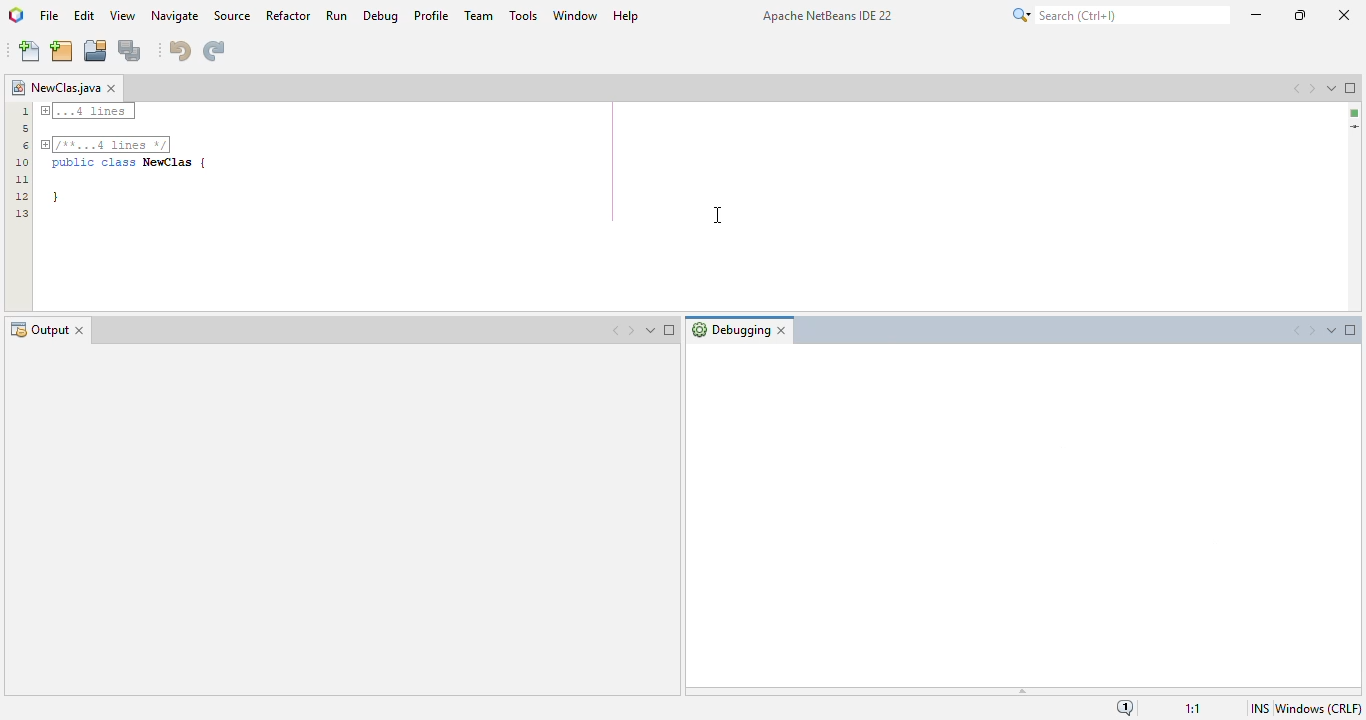 The image size is (1366, 720). Describe the element at coordinates (289, 15) in the screenshot. I see `refactor` at that location.